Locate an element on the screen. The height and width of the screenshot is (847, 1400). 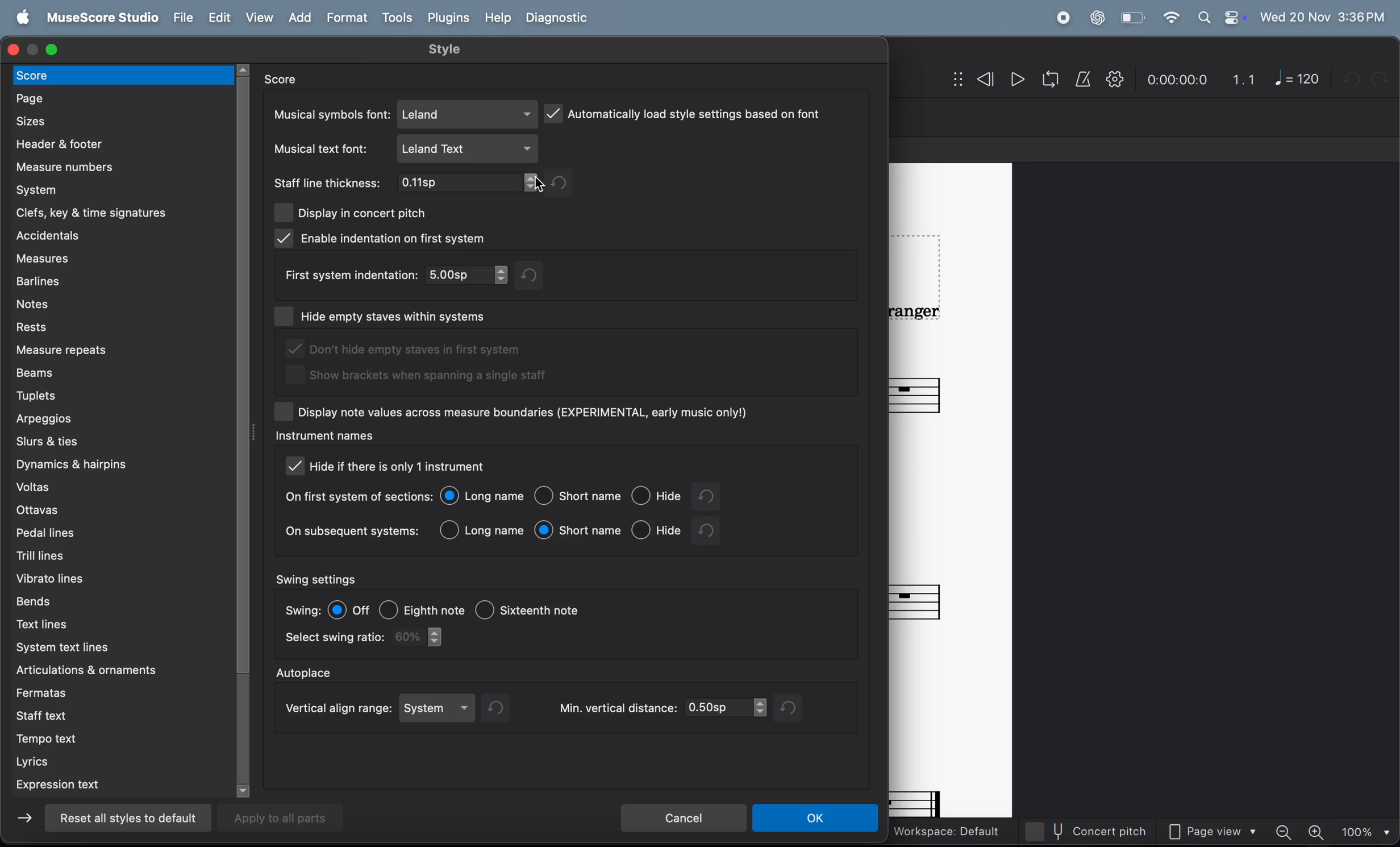
bends is located at coordinates (99, 600).